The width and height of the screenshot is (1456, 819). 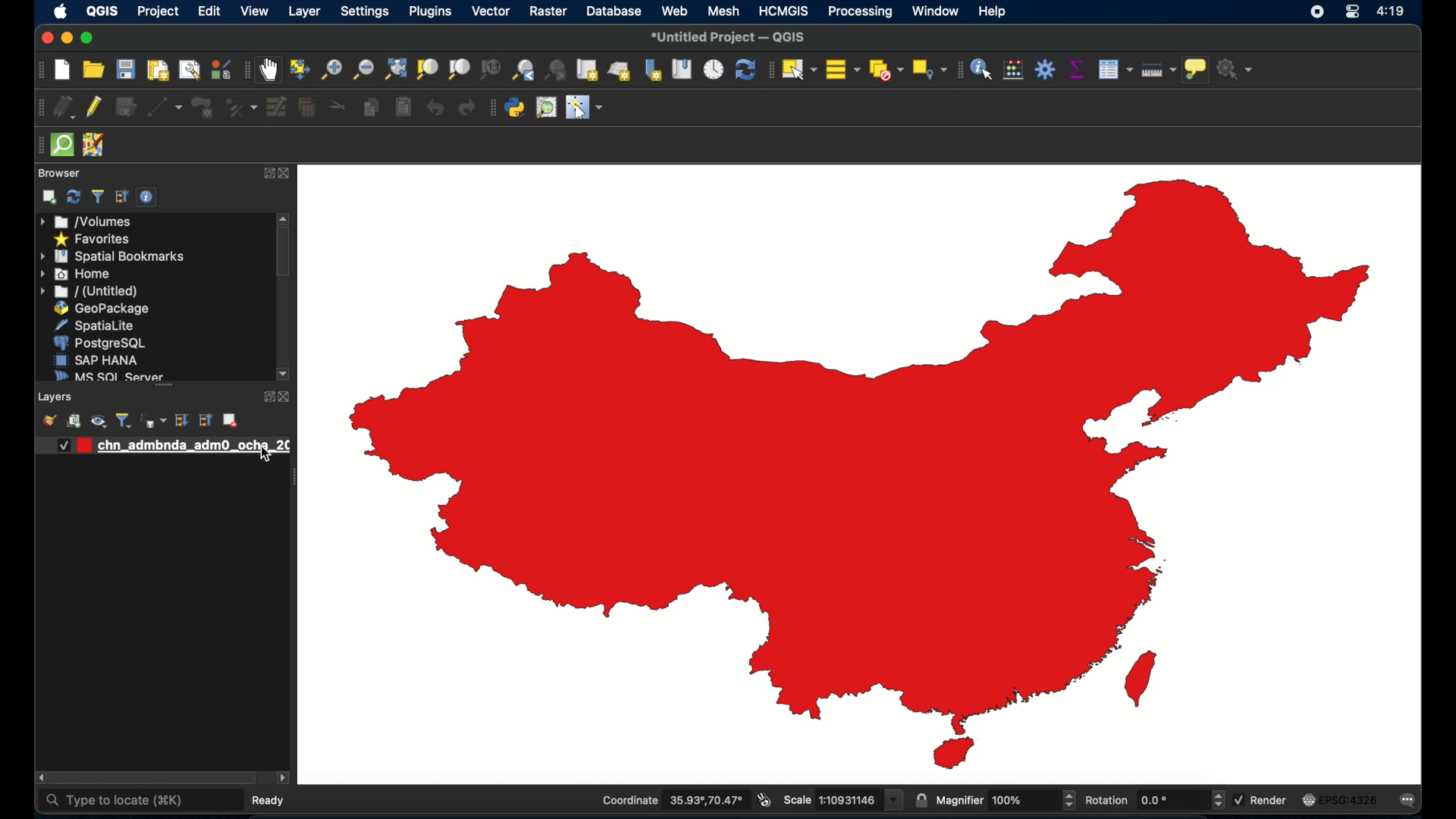 I want to click on python console, so click(x=515, y=108).